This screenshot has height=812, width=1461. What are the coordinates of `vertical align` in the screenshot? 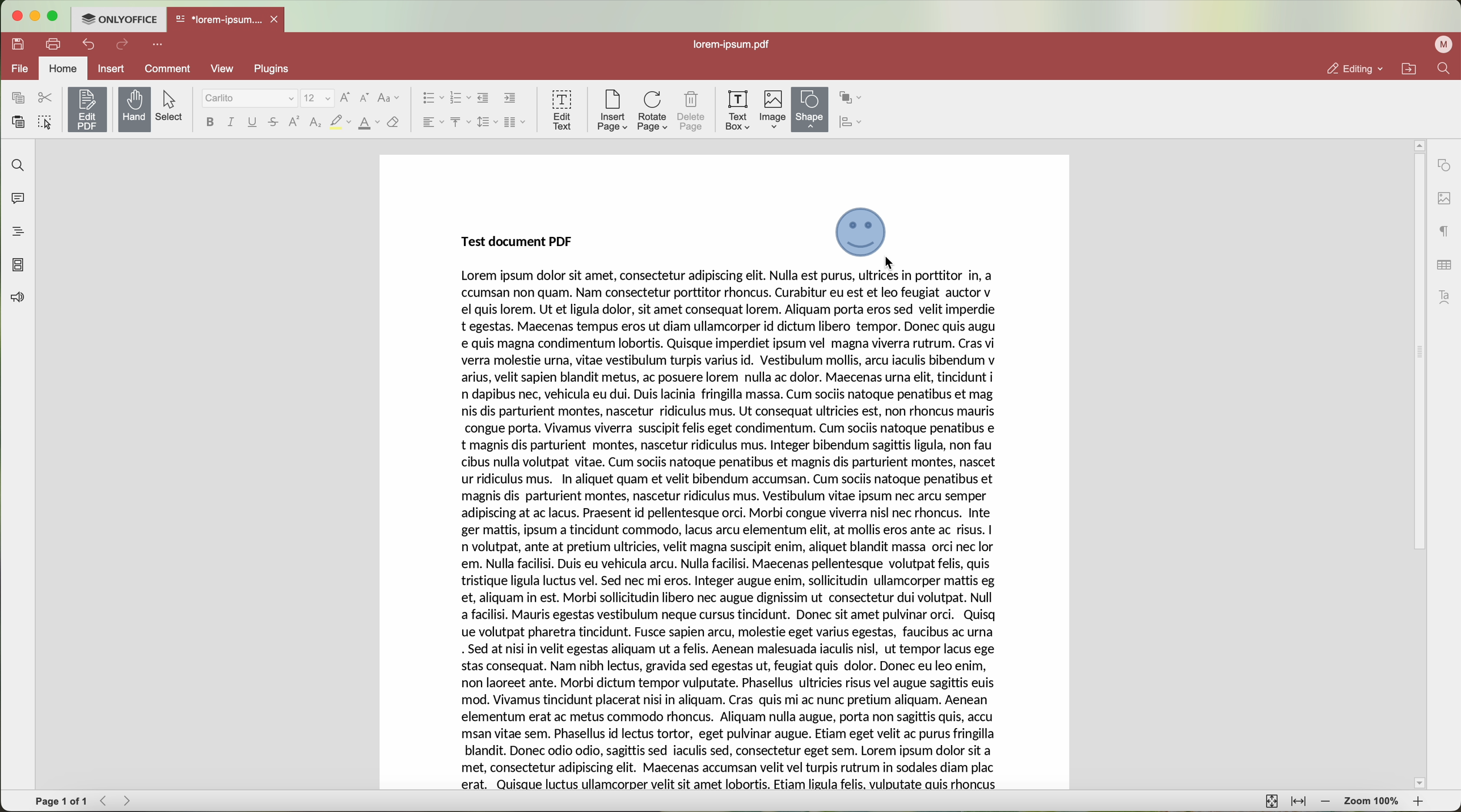 It's located at (458, 122).